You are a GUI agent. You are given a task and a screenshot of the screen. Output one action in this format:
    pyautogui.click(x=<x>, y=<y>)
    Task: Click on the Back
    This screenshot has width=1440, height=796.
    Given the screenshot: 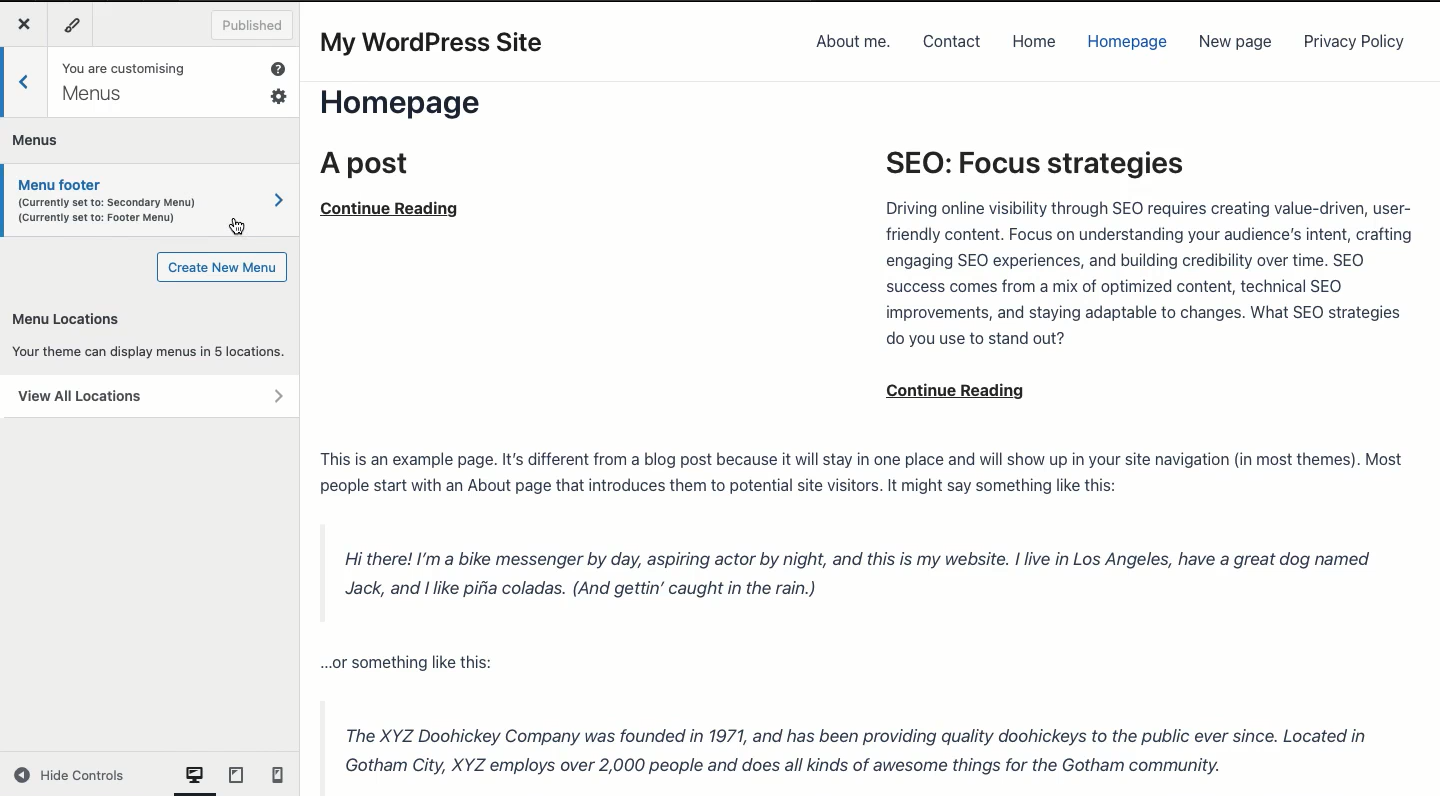 What is the action you would take?
    pyautogui.click(x=25, y=80)
    